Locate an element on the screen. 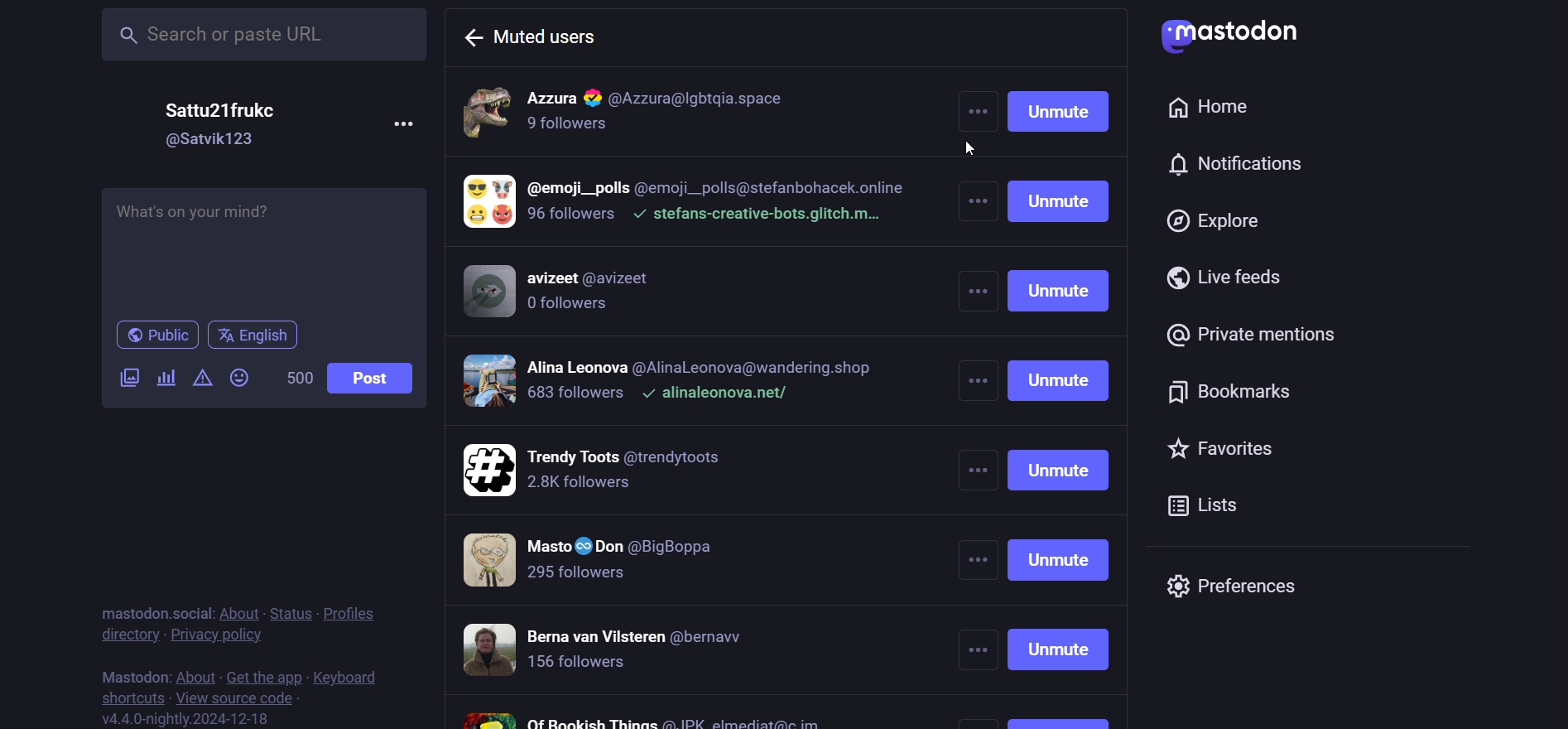 The height and width of the screenshot is (729, 1568). status is located at coordinates (290, 613).